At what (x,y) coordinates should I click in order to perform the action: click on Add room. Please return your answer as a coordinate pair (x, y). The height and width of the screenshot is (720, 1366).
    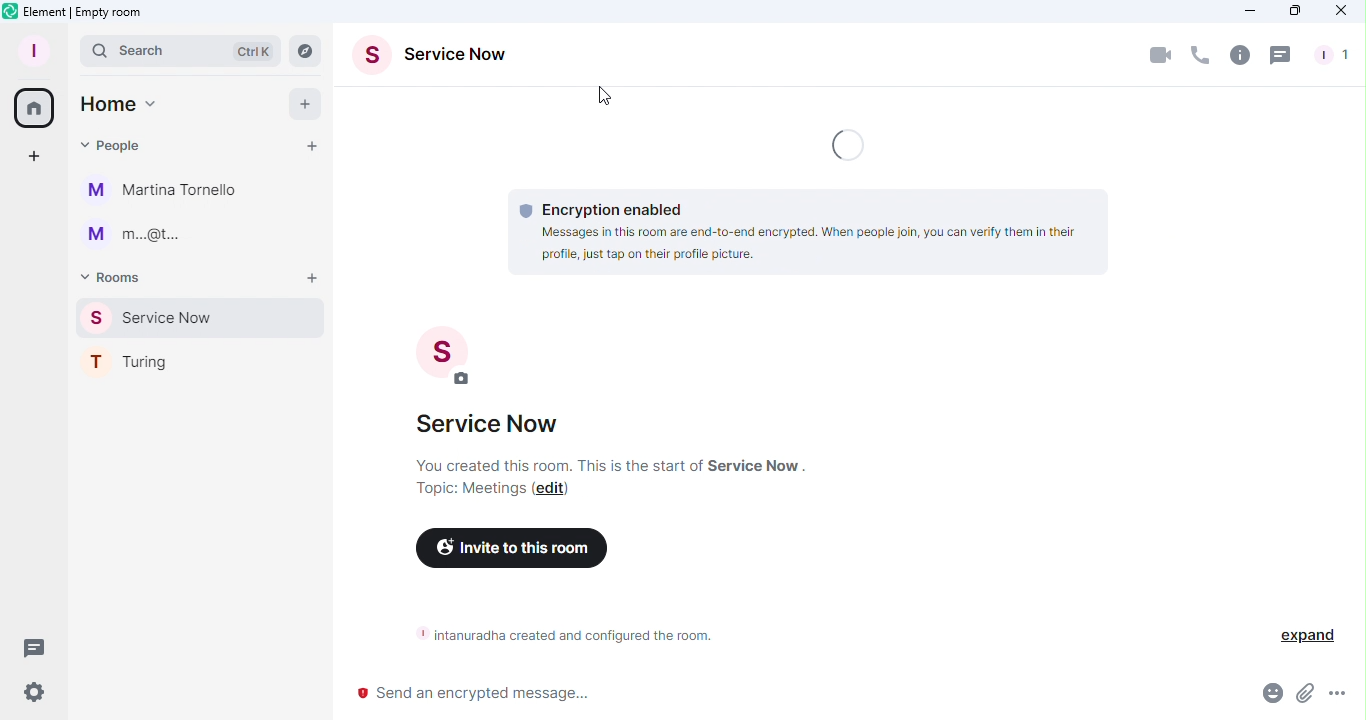
    Looking at the image, I should click on (314, 279).